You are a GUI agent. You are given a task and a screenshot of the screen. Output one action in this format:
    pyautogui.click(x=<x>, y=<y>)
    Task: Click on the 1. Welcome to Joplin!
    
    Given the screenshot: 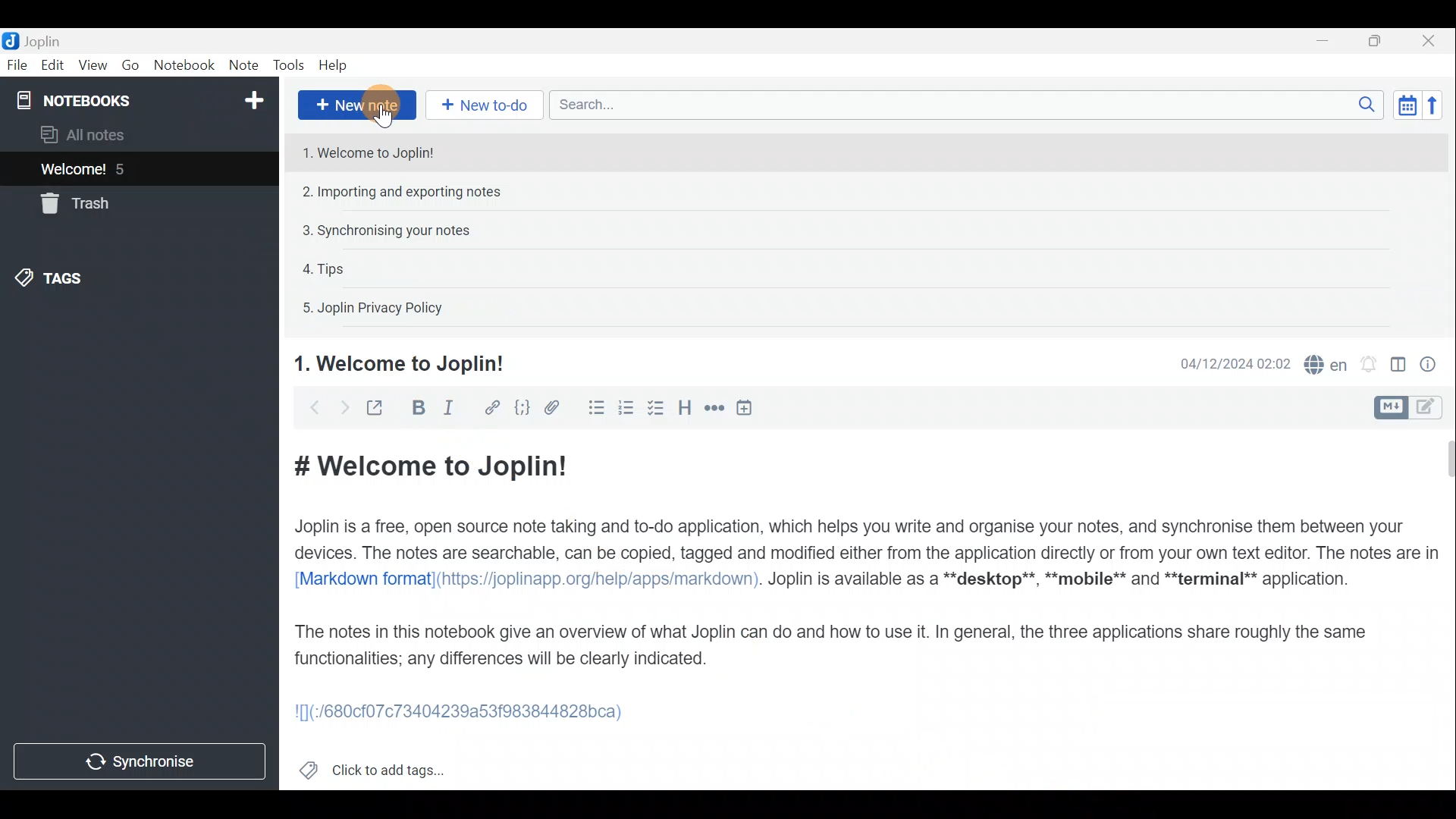 What is the action you would take?
    pyautogui.click(x=400, y=362)
    